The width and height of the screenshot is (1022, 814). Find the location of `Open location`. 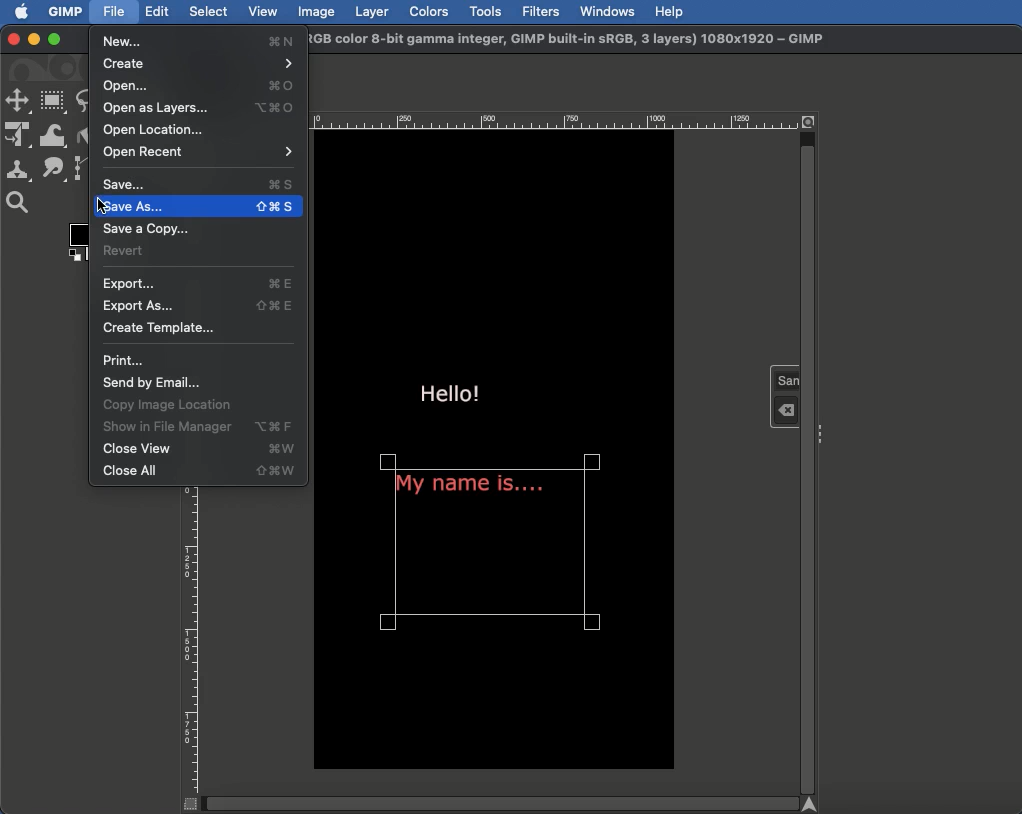

Open location is located at coordinates (151, 130).